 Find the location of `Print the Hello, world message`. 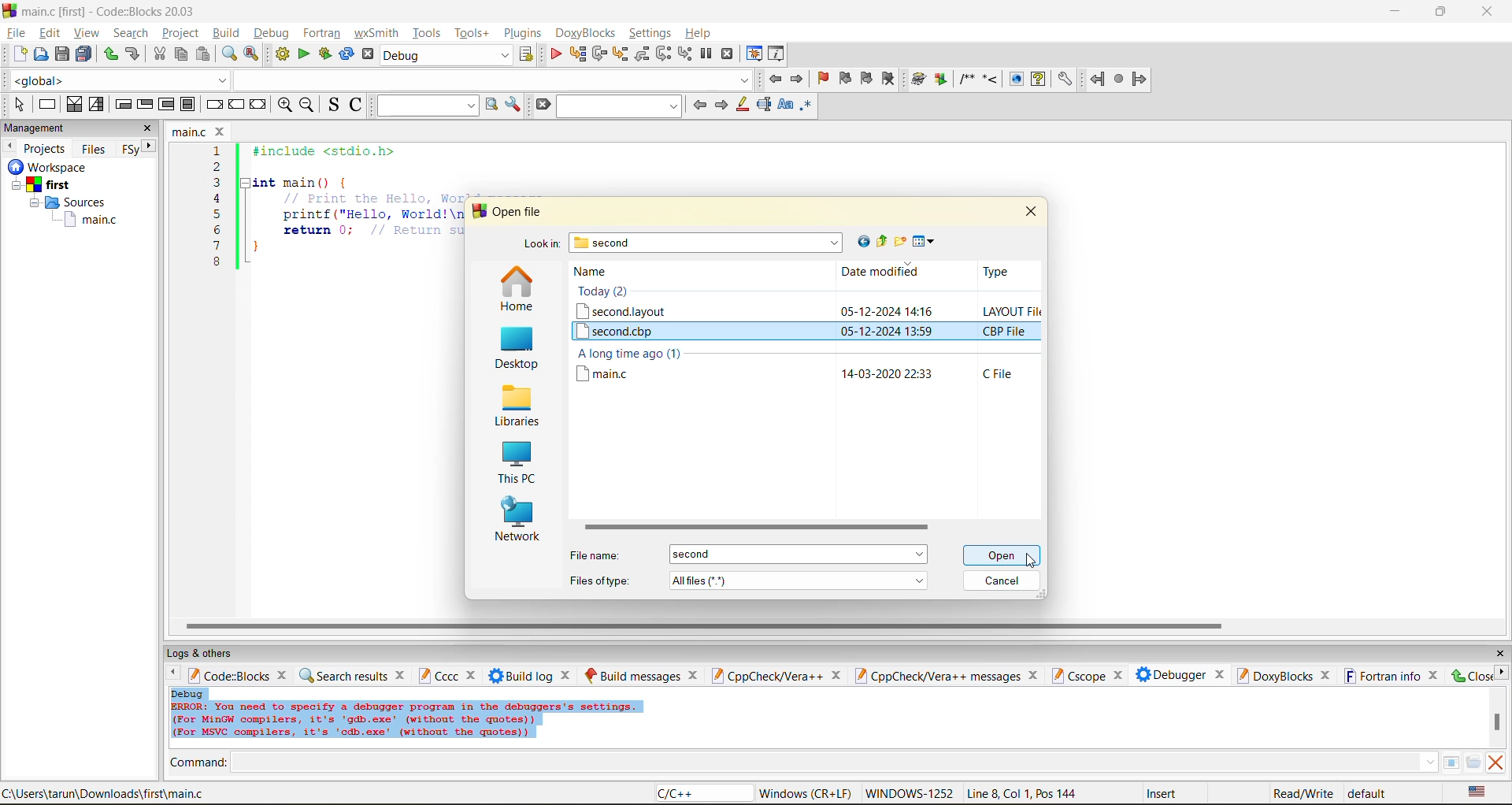

Print the Hello, world message is located at coordinates (373, 198).